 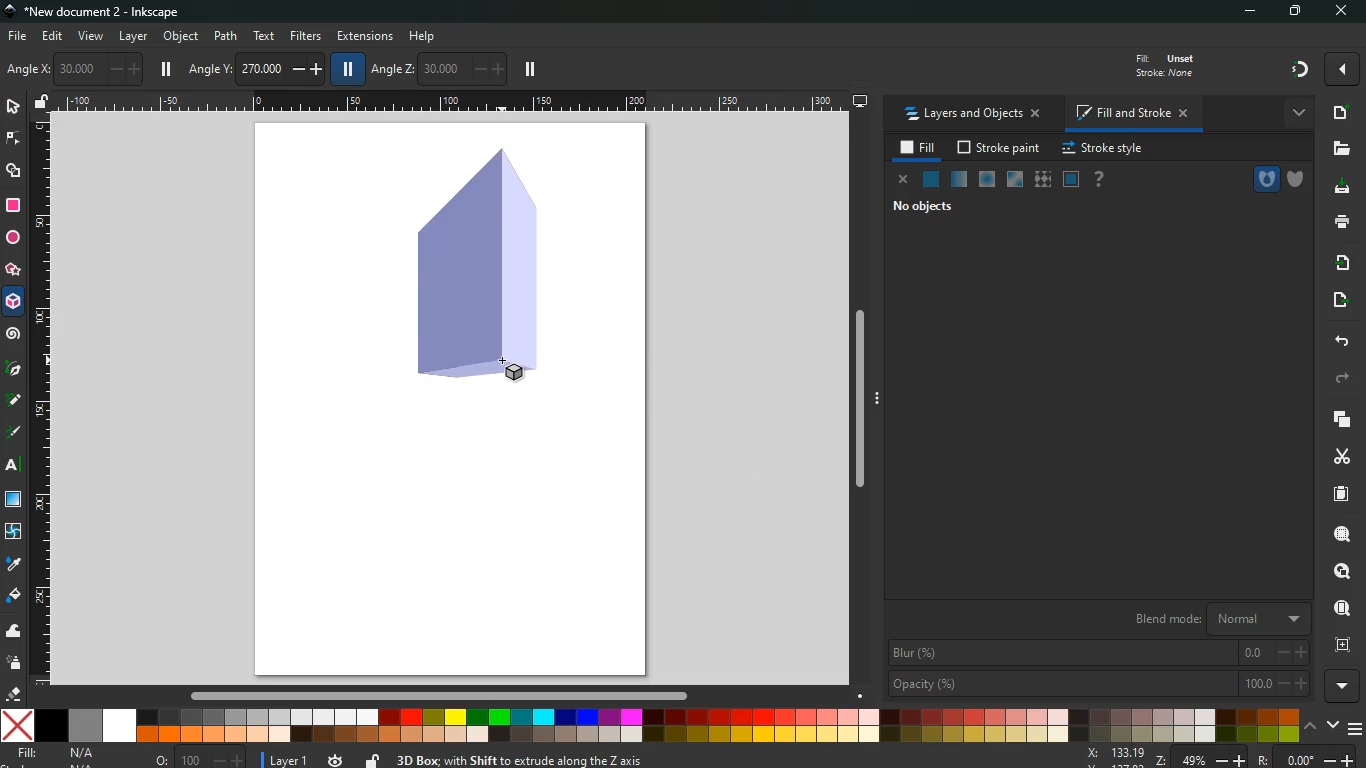 What do you see at coordinates (1339, 150) in the screenshot?
I see `files` at bounding box center [1339, 150].